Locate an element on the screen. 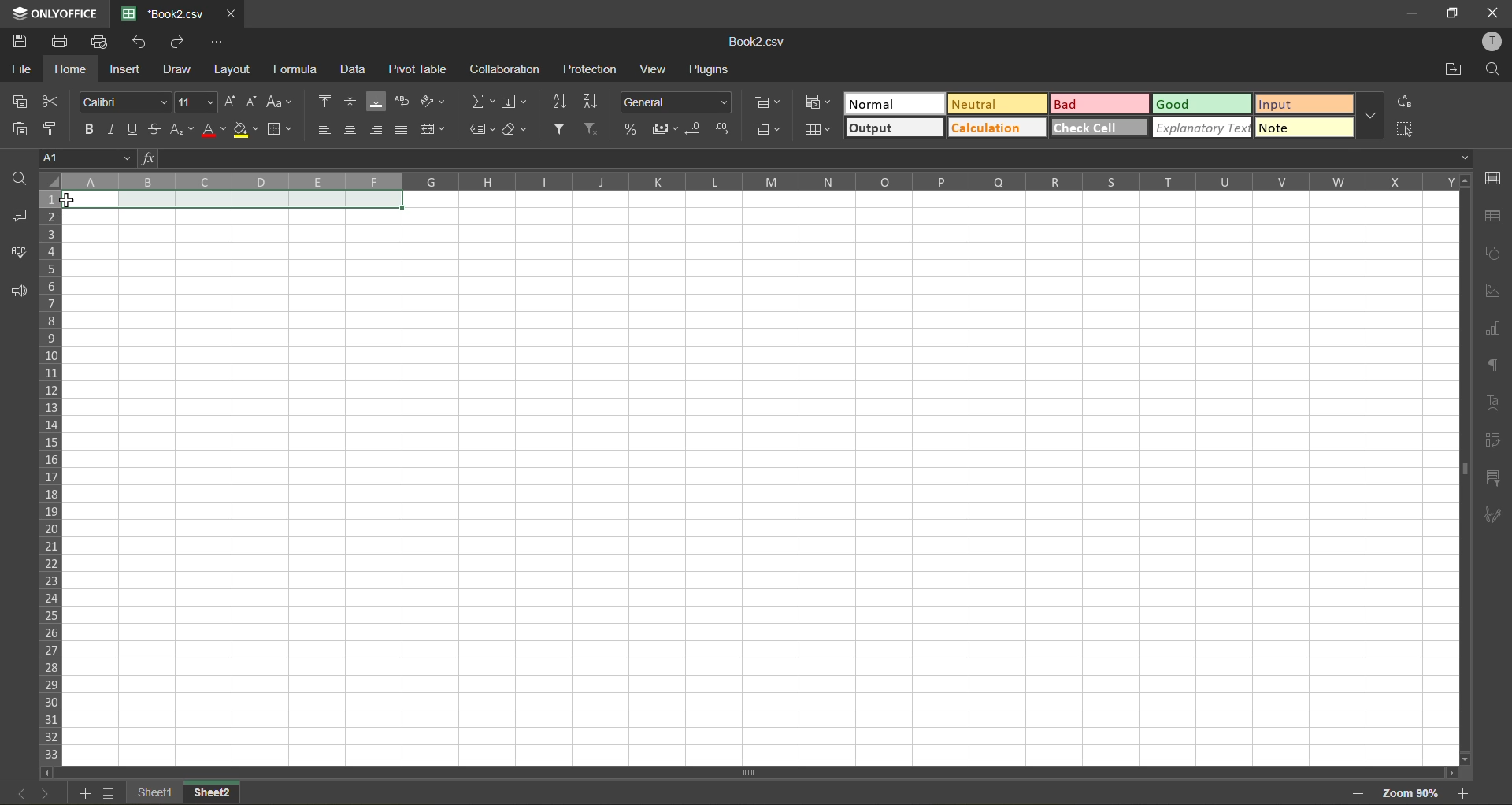 The image size is (1512, 805). percent is located at coordinates (632, 129).